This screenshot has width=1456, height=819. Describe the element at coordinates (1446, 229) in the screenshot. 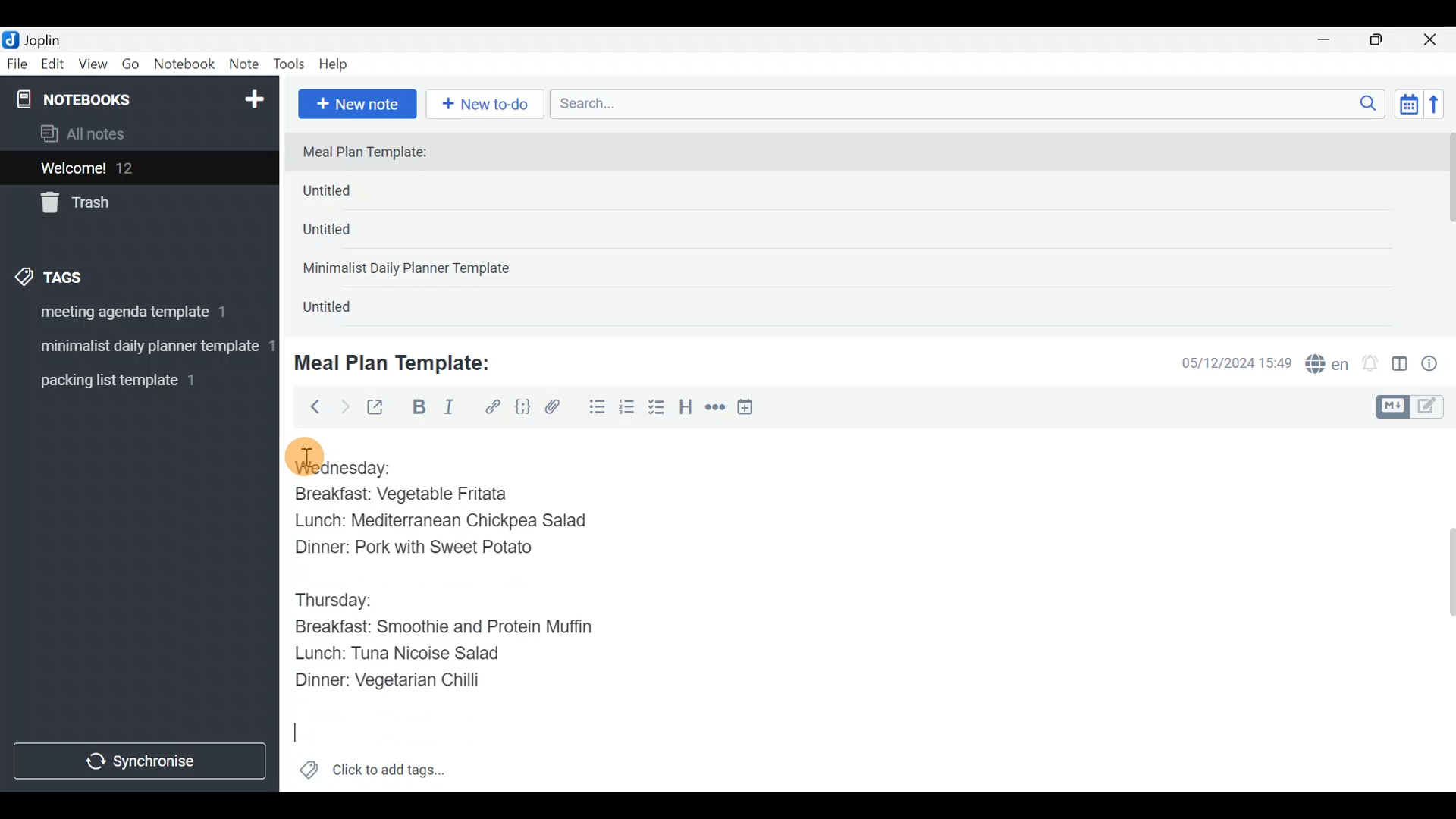

I see `scroll bar` at that location.